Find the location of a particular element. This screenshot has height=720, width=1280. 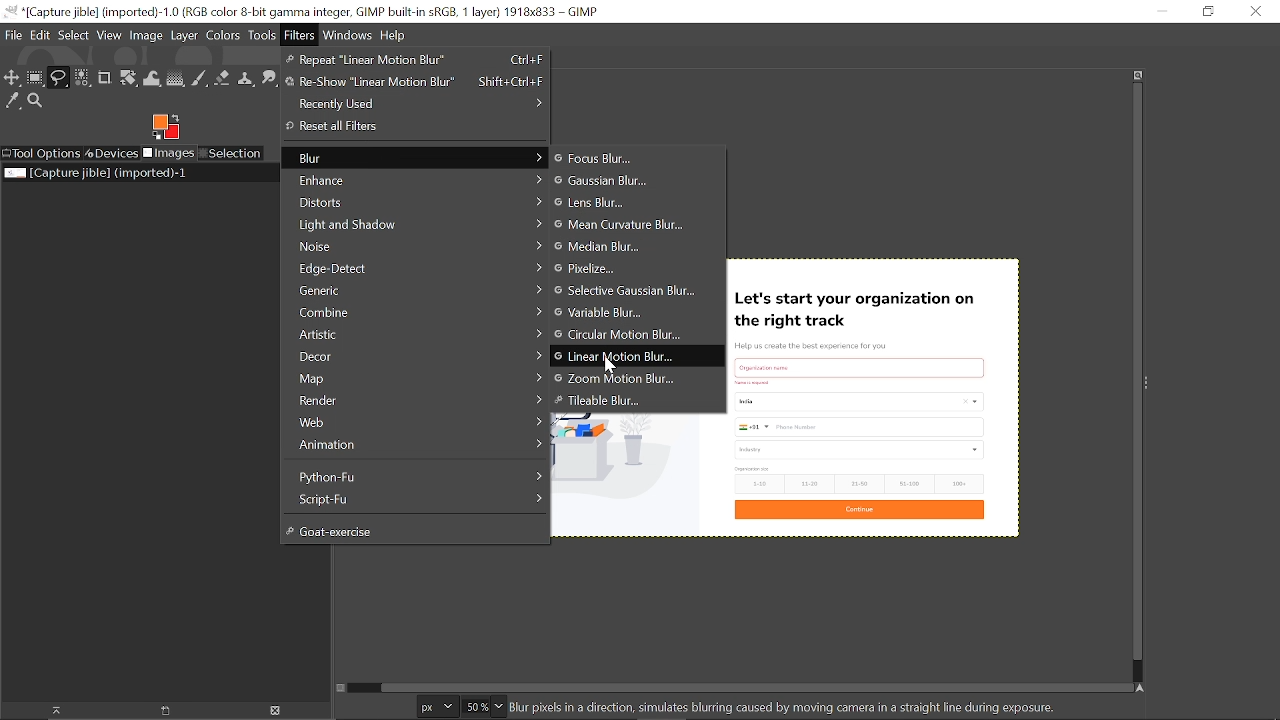

Edge-Detect is located at coordinates (413, 268).